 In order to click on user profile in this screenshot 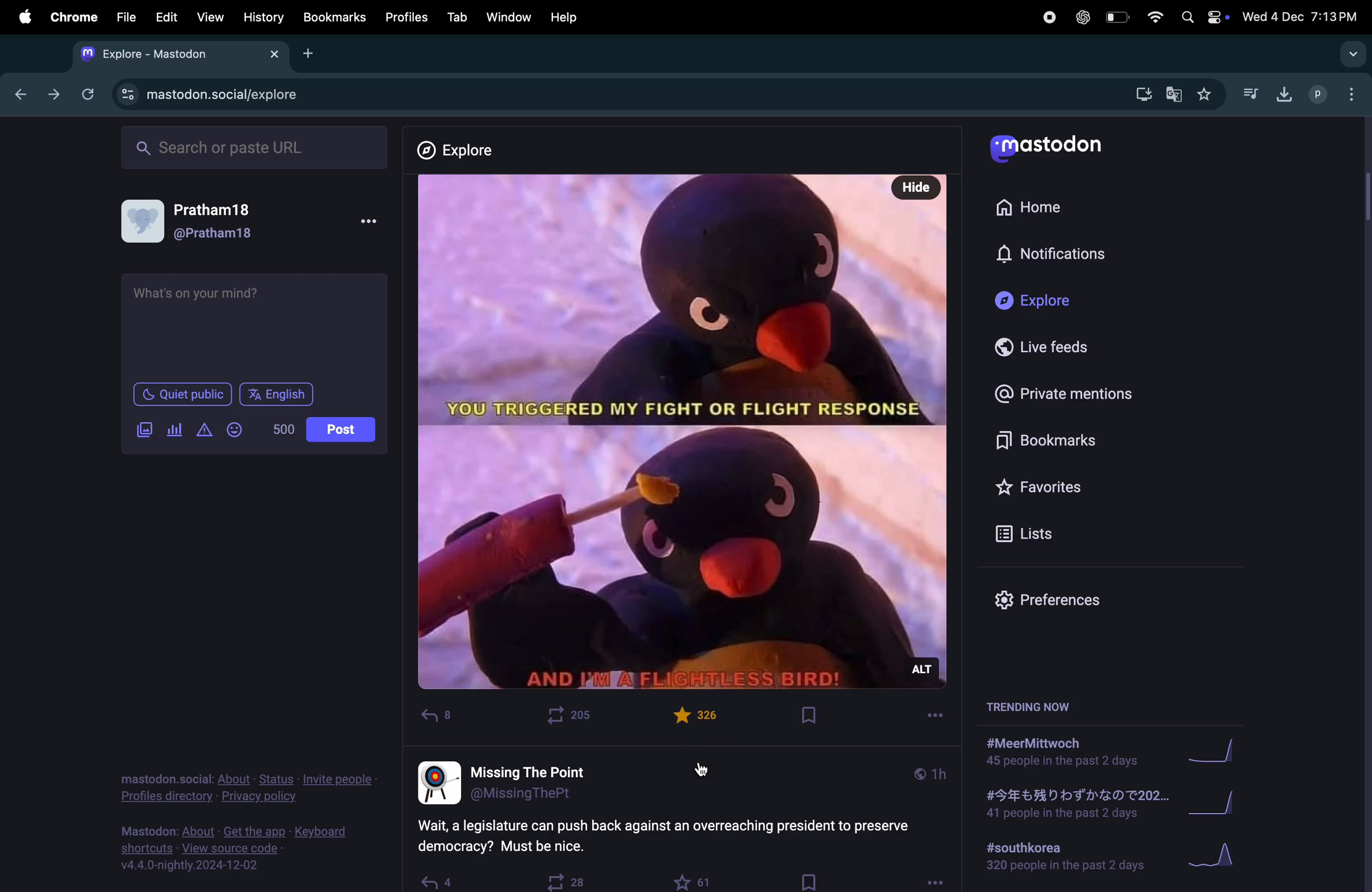, I will do `click(206, 222)`.